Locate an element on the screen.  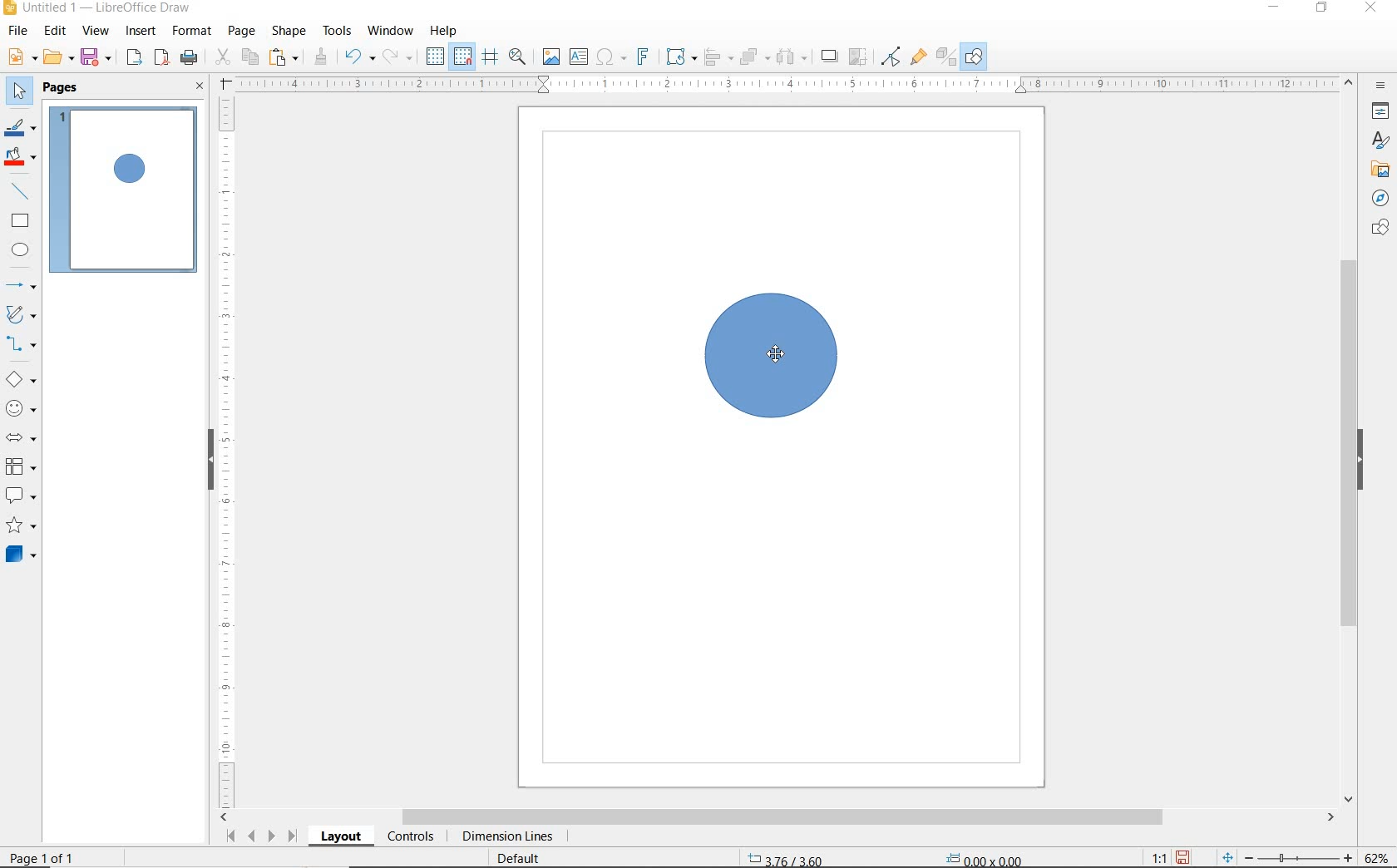
LINE COLOR is located at coordinates (22, 130).